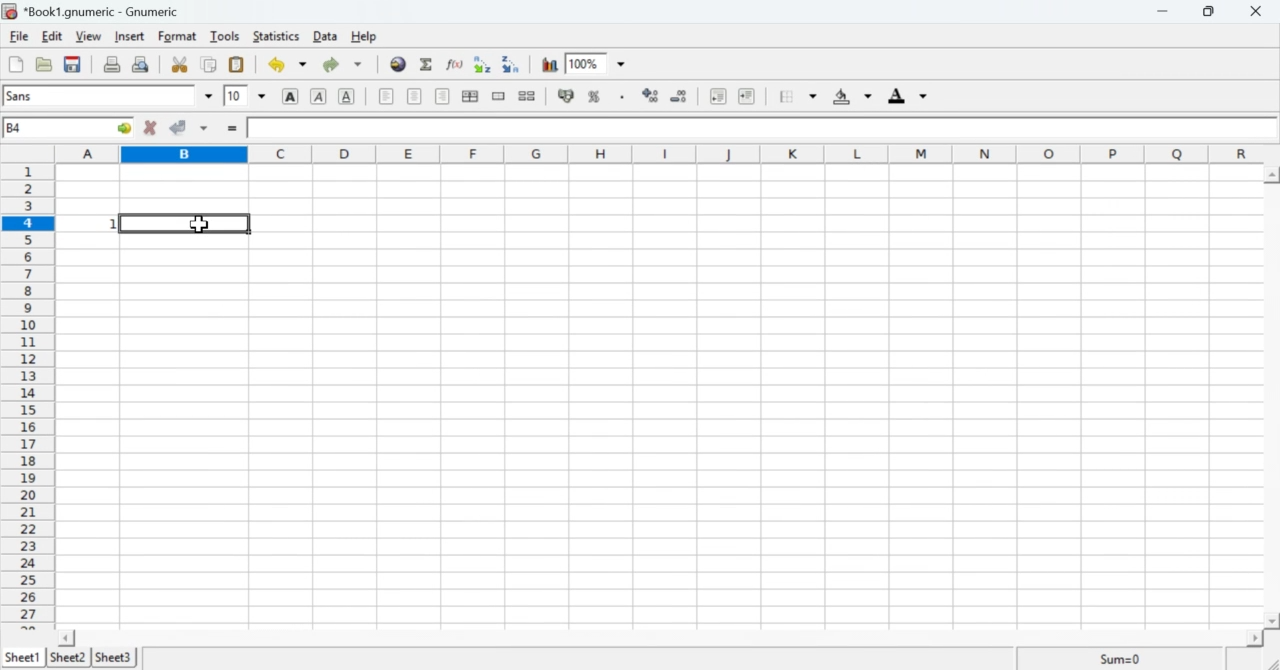 Image resolution: width=1280 pixels, height=670 pixels. I want to click on scroll left, so click(64, 638).